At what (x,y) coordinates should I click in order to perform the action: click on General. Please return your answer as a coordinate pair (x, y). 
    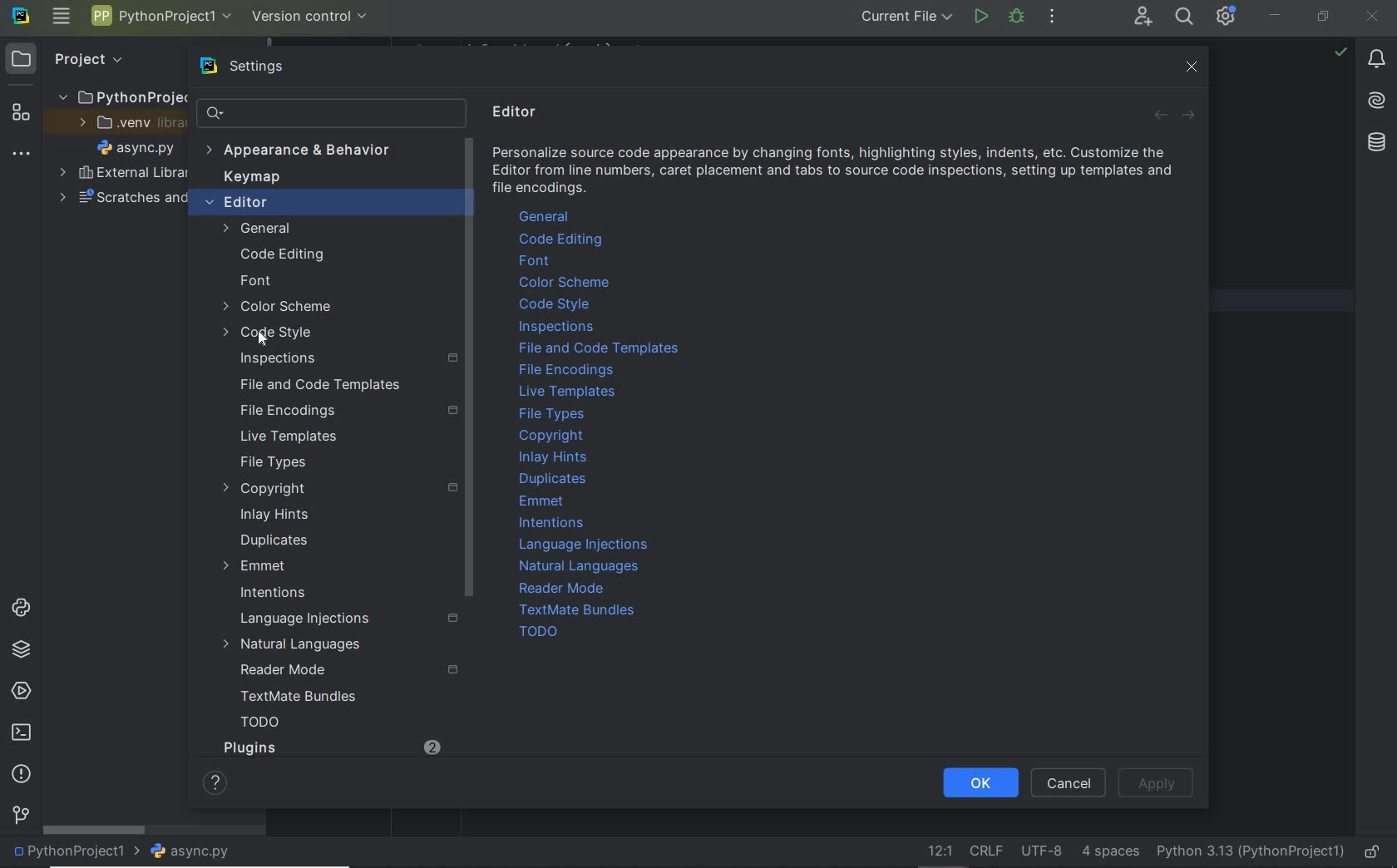
    Looking at the image, I should click on (298, 229).